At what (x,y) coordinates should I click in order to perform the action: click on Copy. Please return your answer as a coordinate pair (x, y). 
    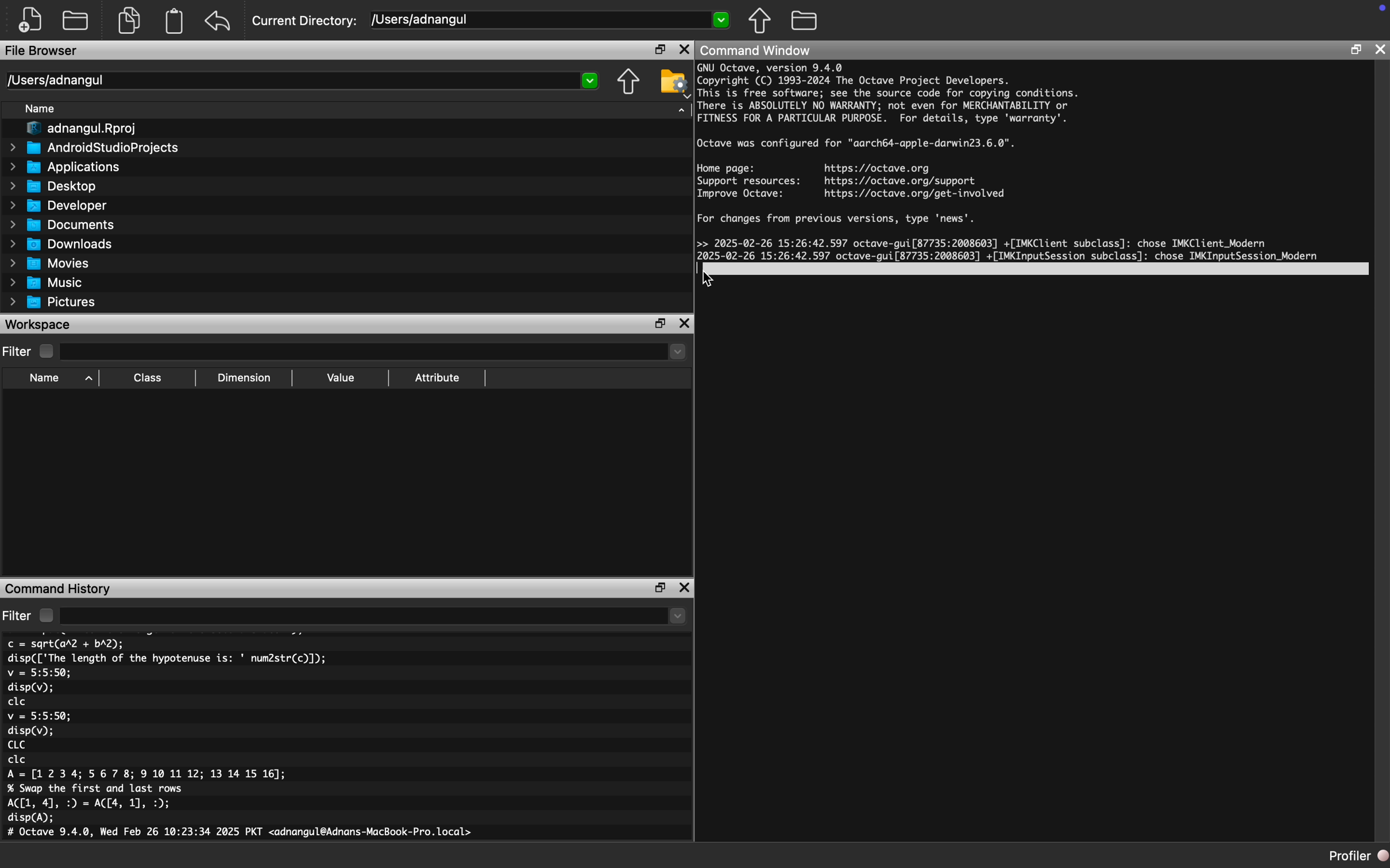
    Looking at the image, I should click on (132, 20).